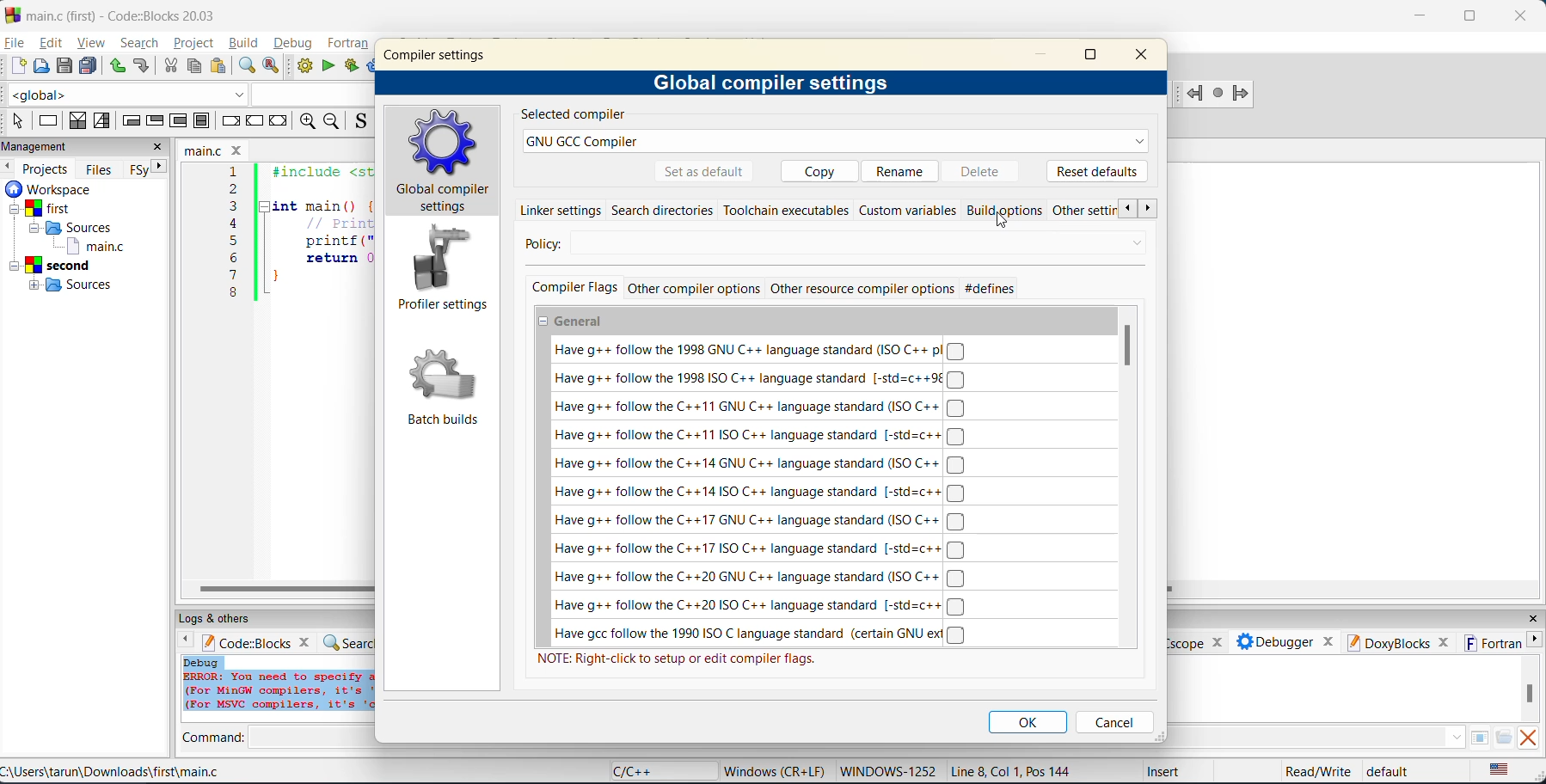 The width and height of the screenshot is (1546, 784). Describe the element at coordinates (293, 44) in the screenshot. I see `debug` at that location.